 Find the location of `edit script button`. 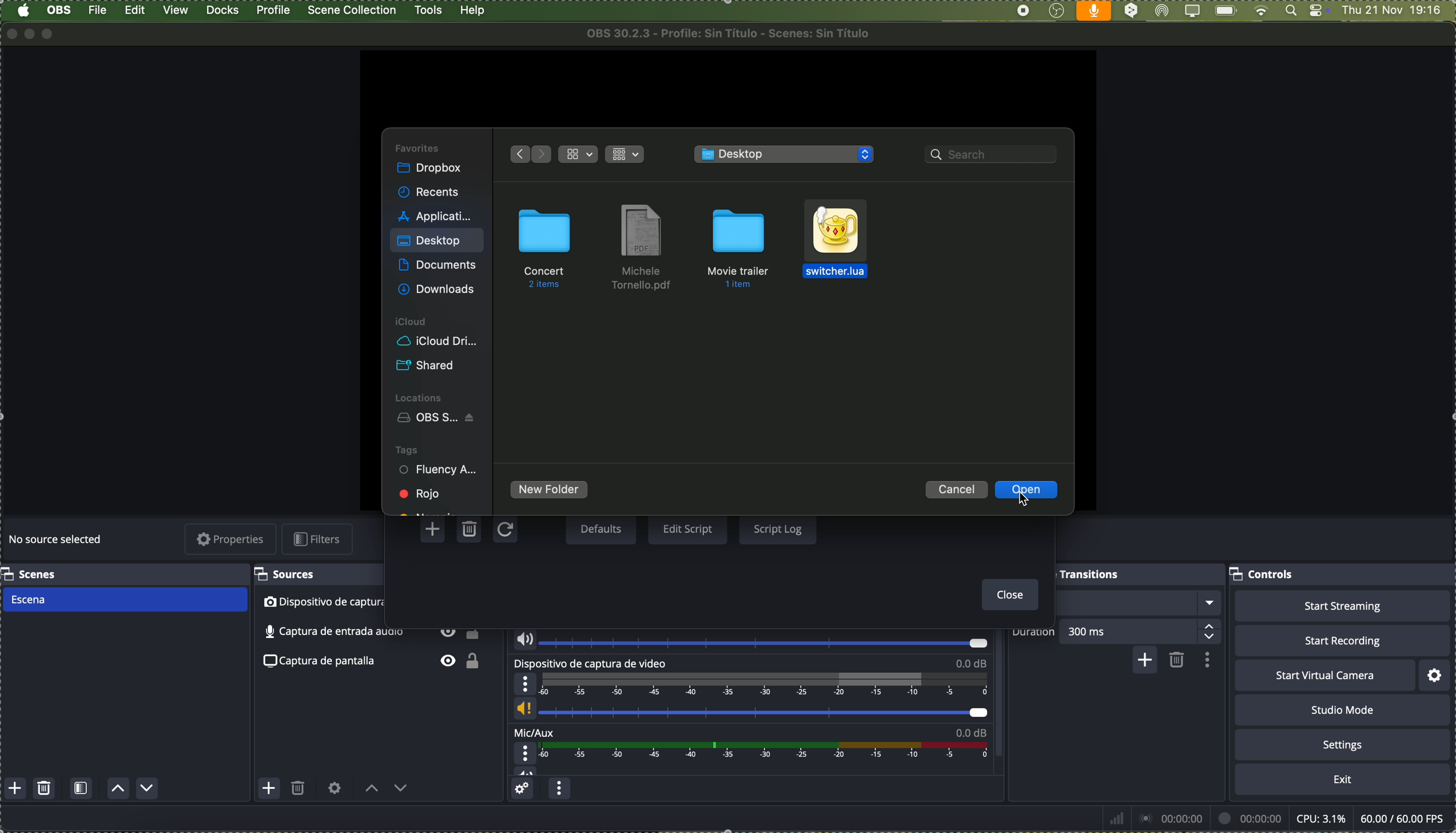

edit script button is located at coordinates (688, 530).